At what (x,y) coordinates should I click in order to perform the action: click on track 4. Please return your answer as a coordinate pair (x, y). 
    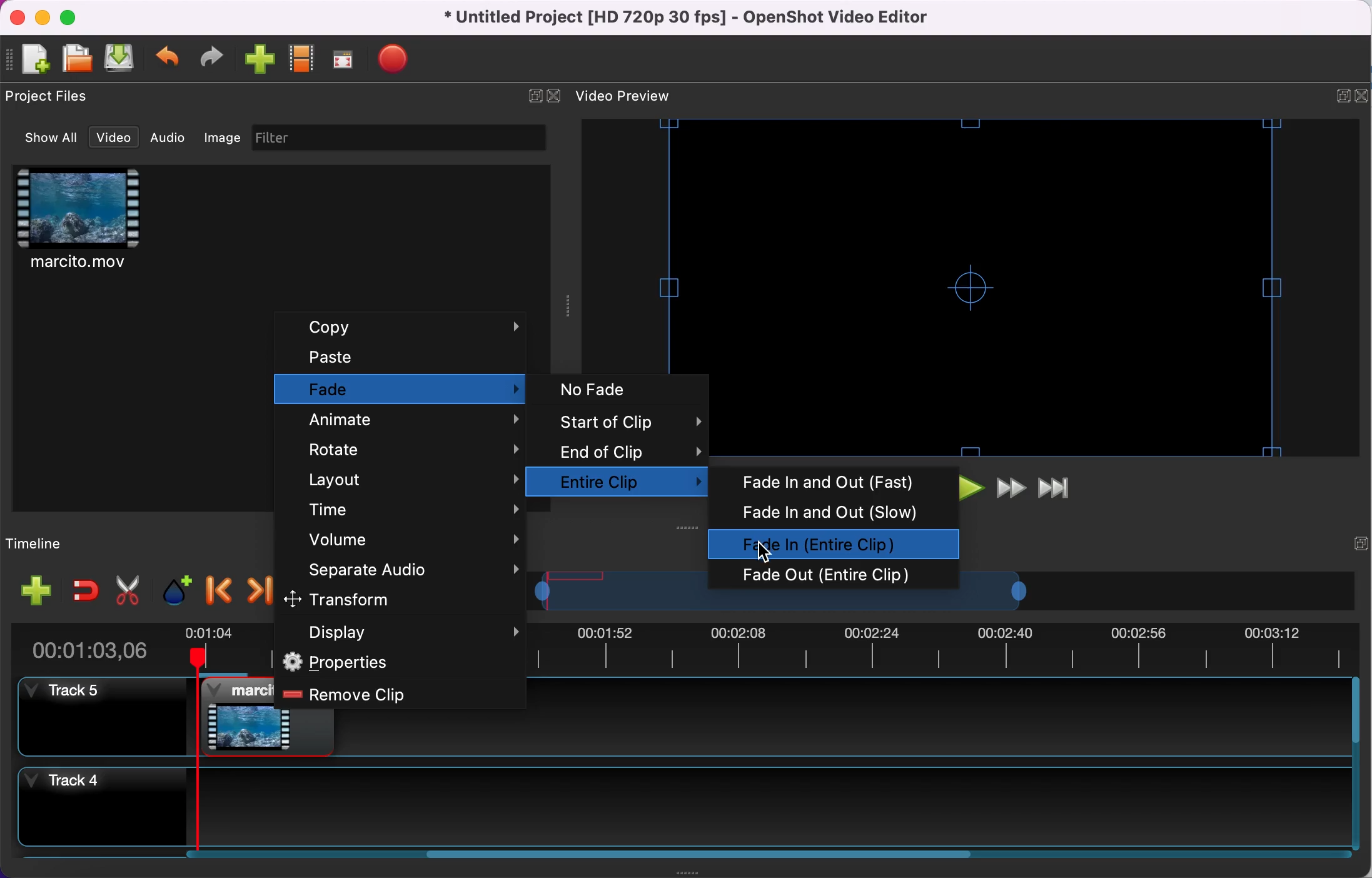
    Looking at the image, I should click on (86, 804).